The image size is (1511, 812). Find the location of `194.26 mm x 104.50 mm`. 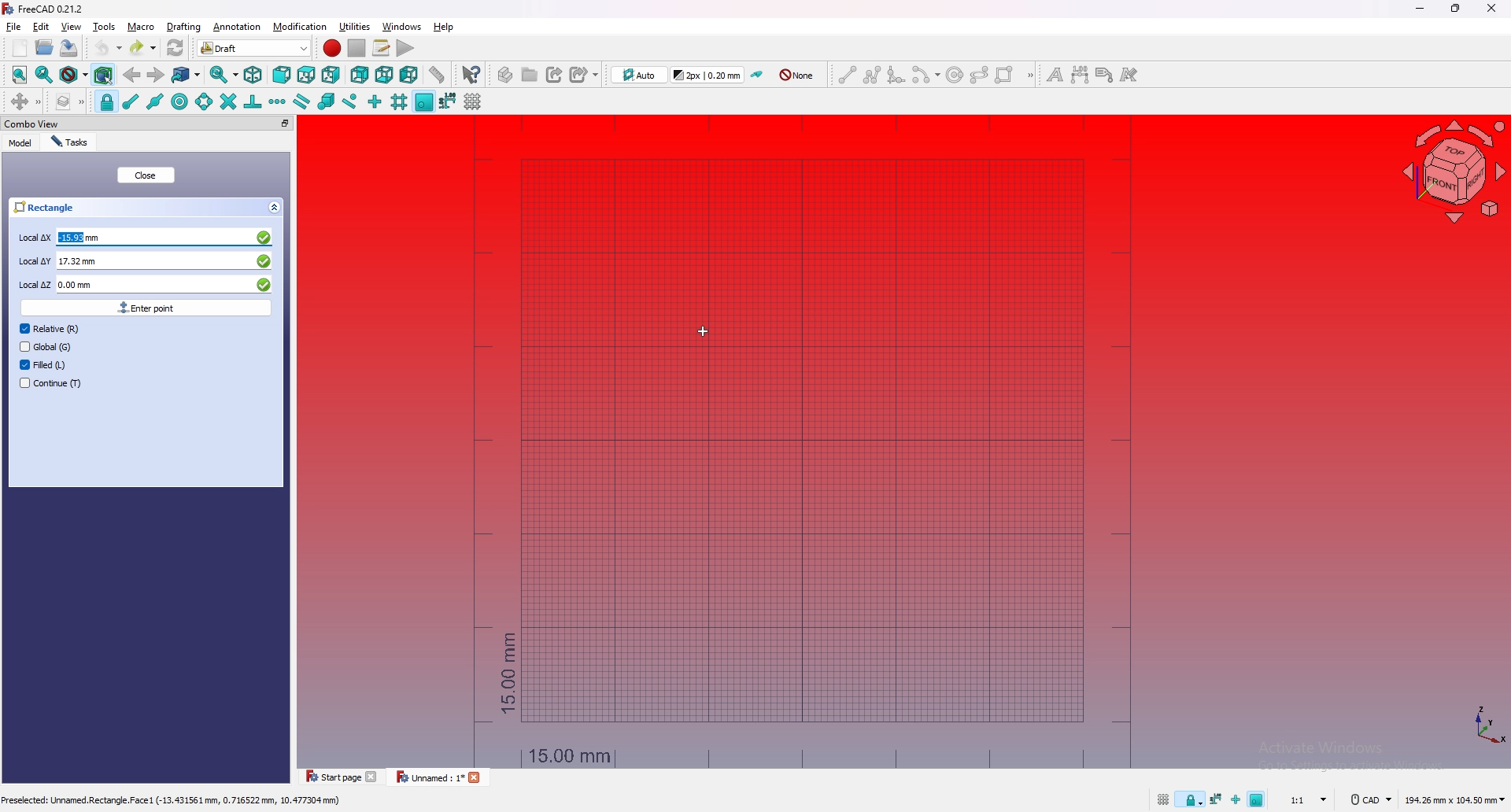

194.26 mm x 104.50 mm is located at coordinates (1454, 800).